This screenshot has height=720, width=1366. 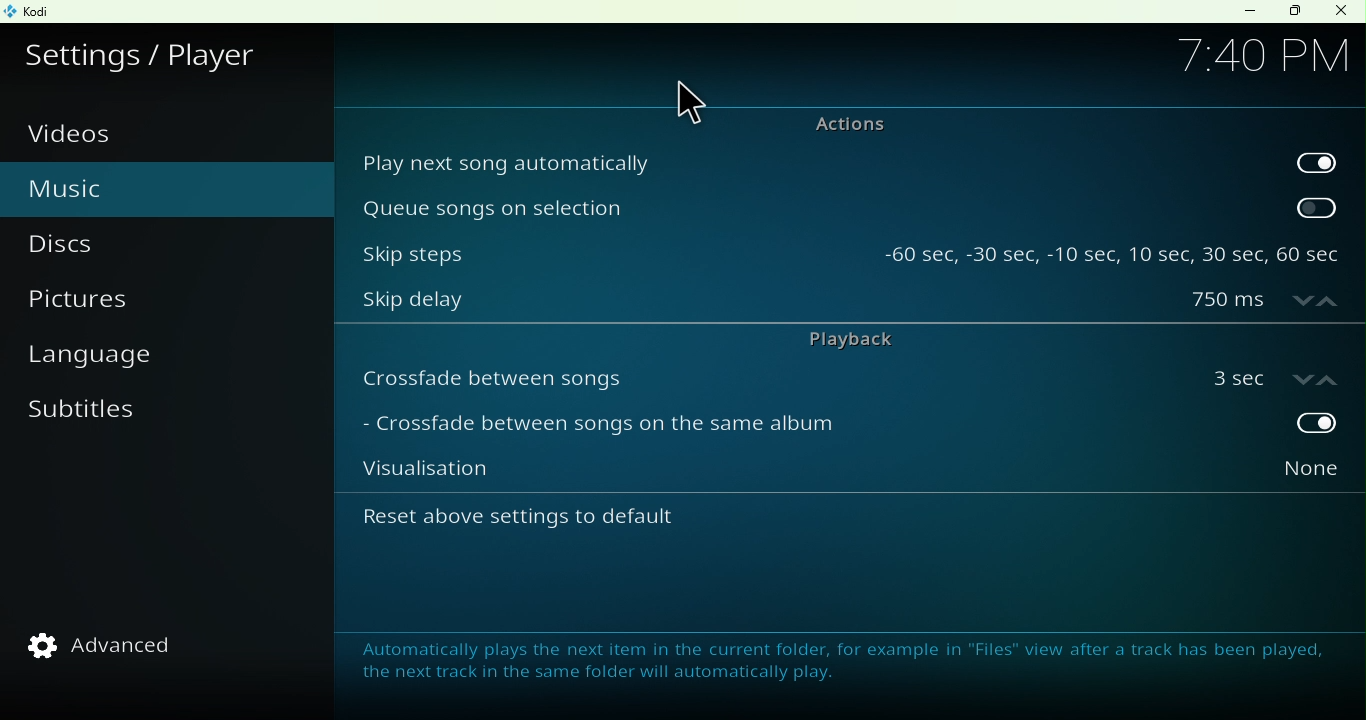 What do you see at coordinates (114, 645) in the screenshot?
I see `Advanced` at bounding box center [114, 645].